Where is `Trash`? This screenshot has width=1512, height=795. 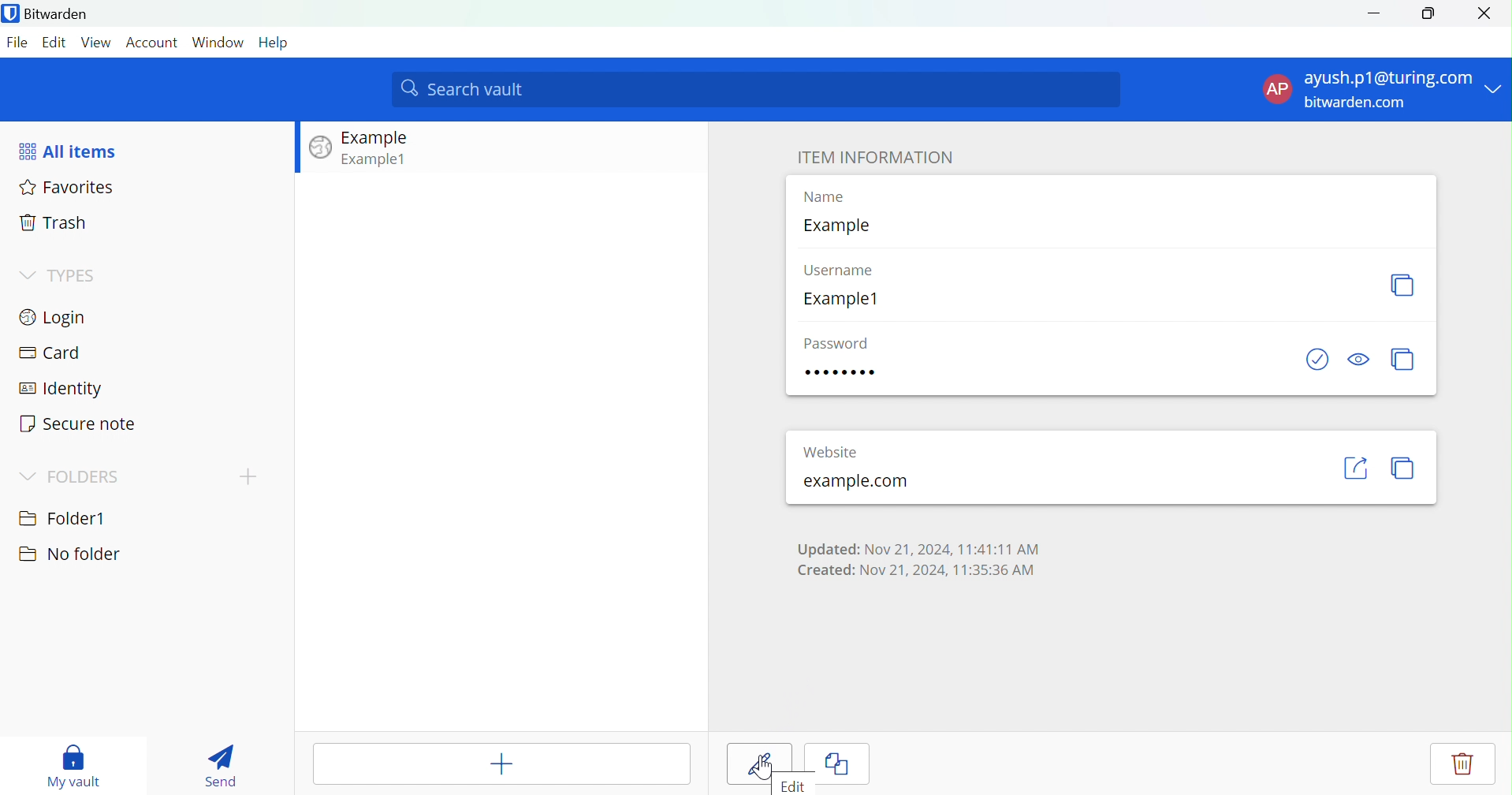 Trash is located at coordinates (55, 224).